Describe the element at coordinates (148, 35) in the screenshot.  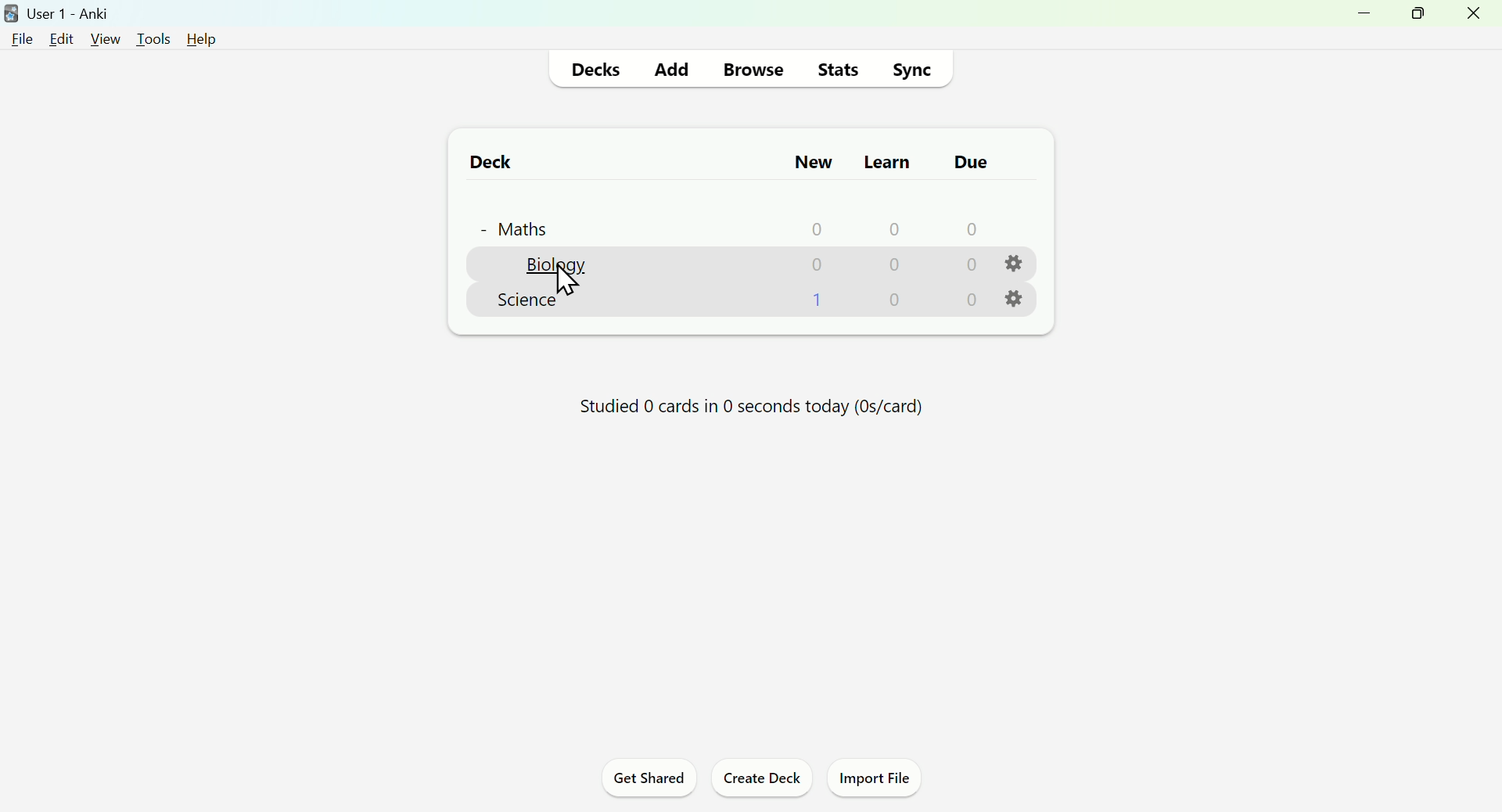
I see `Tools` at that location.